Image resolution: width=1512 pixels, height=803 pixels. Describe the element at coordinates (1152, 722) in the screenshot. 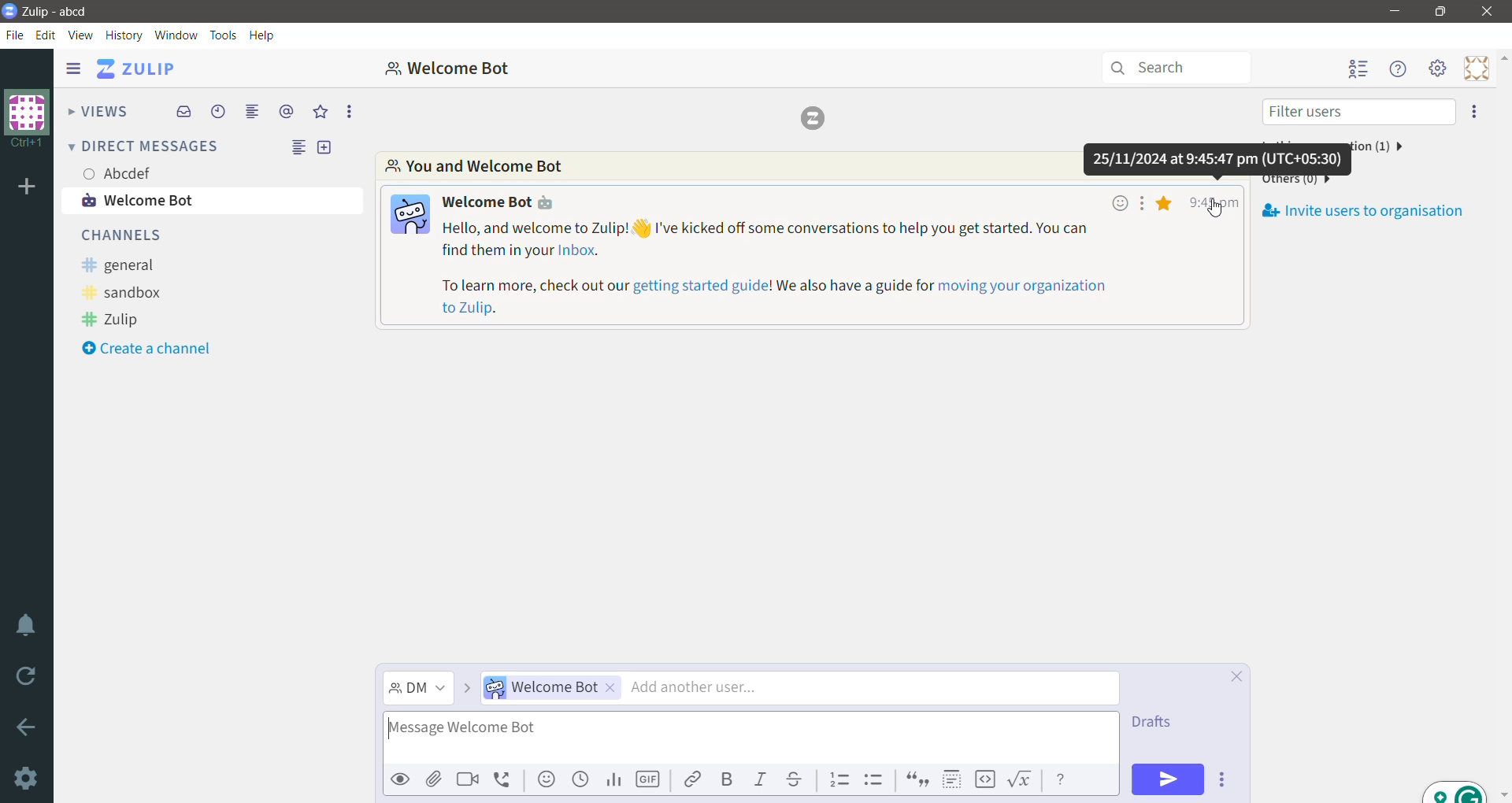

I see `Drafts` at that location.